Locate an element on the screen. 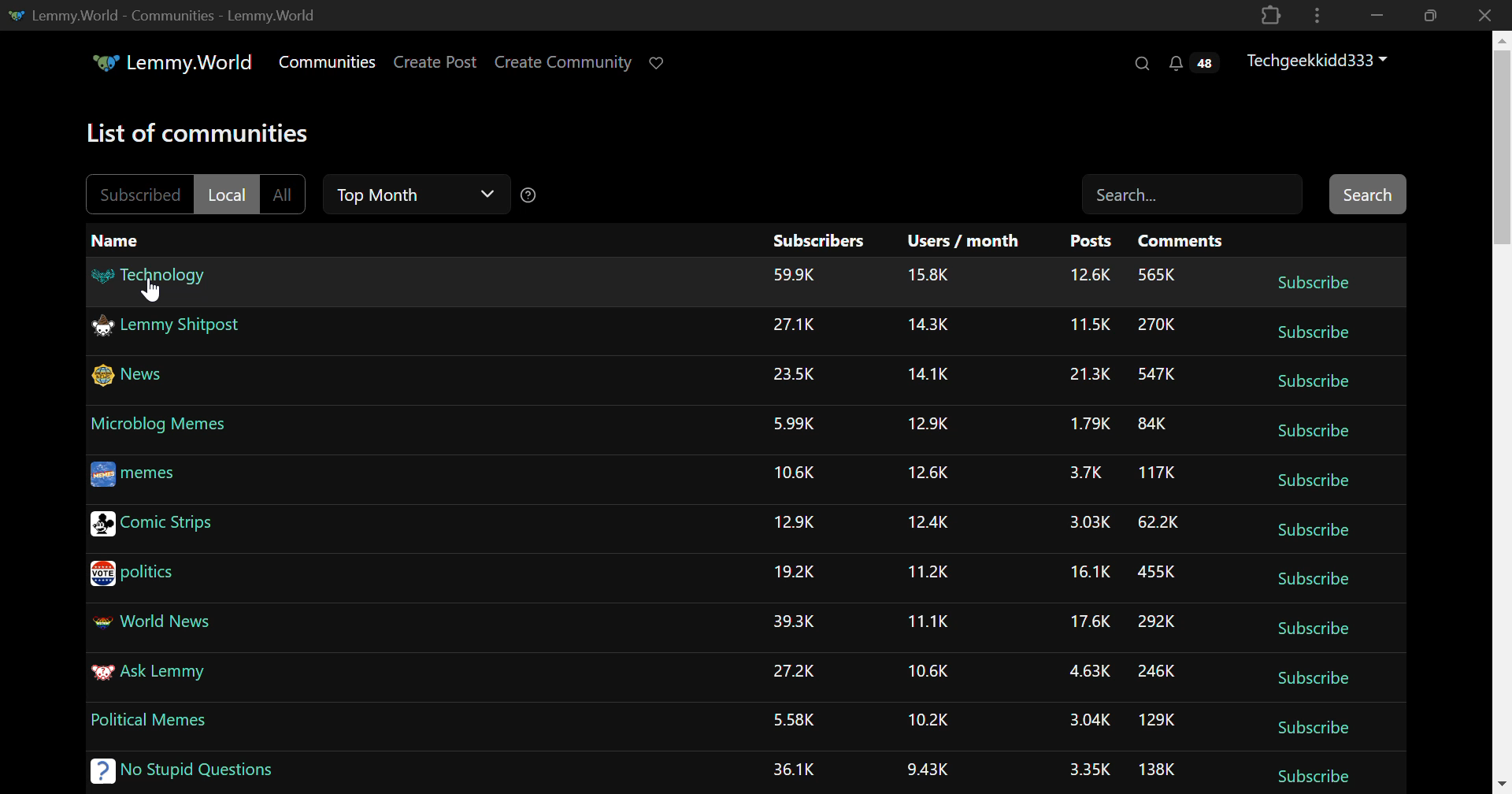 Image resolution: width=1512 pixels, height=794 pixels. 4.63K is located at coordinates (1088, 671).